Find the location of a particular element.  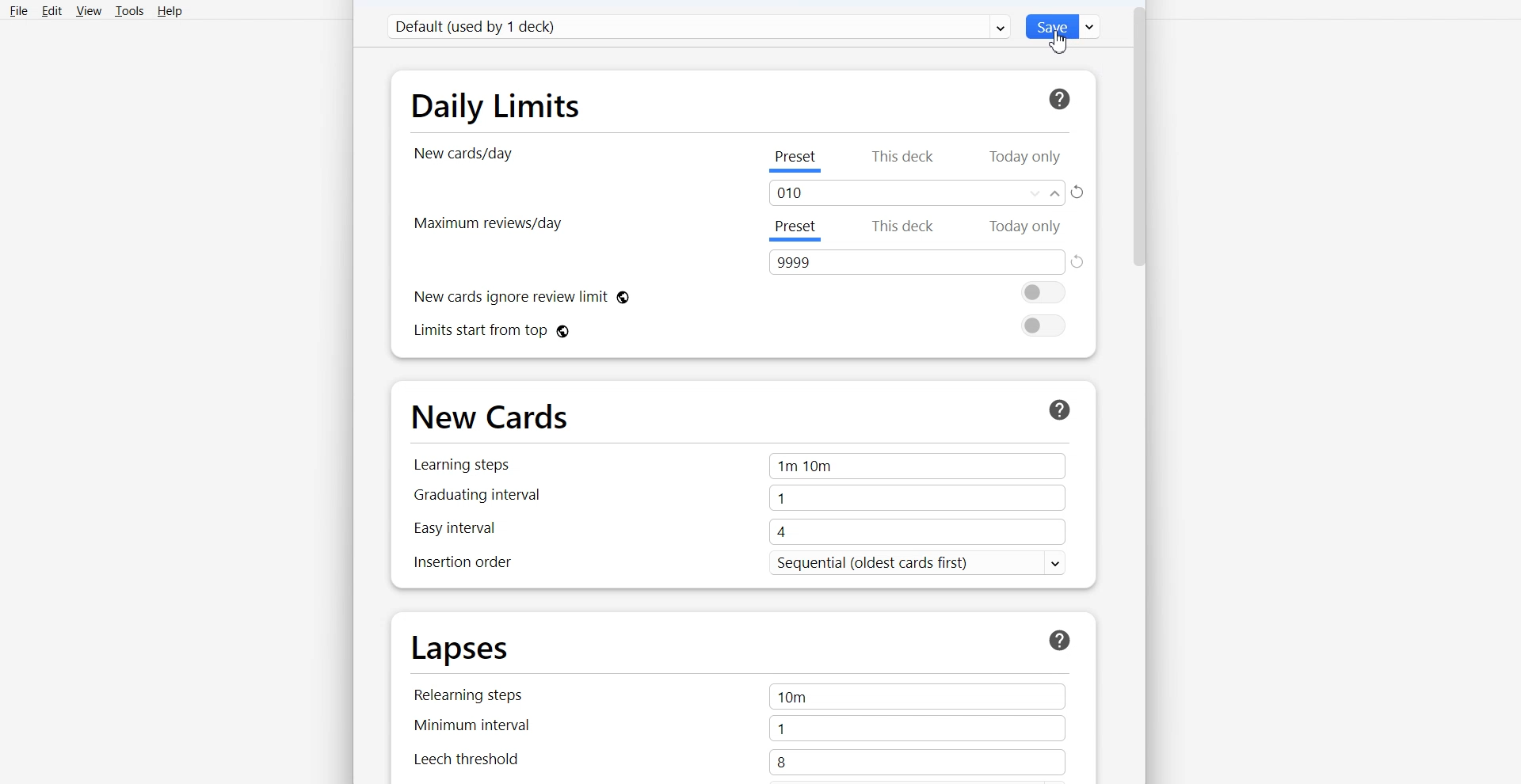

8 is located at coordinates (914, 763).